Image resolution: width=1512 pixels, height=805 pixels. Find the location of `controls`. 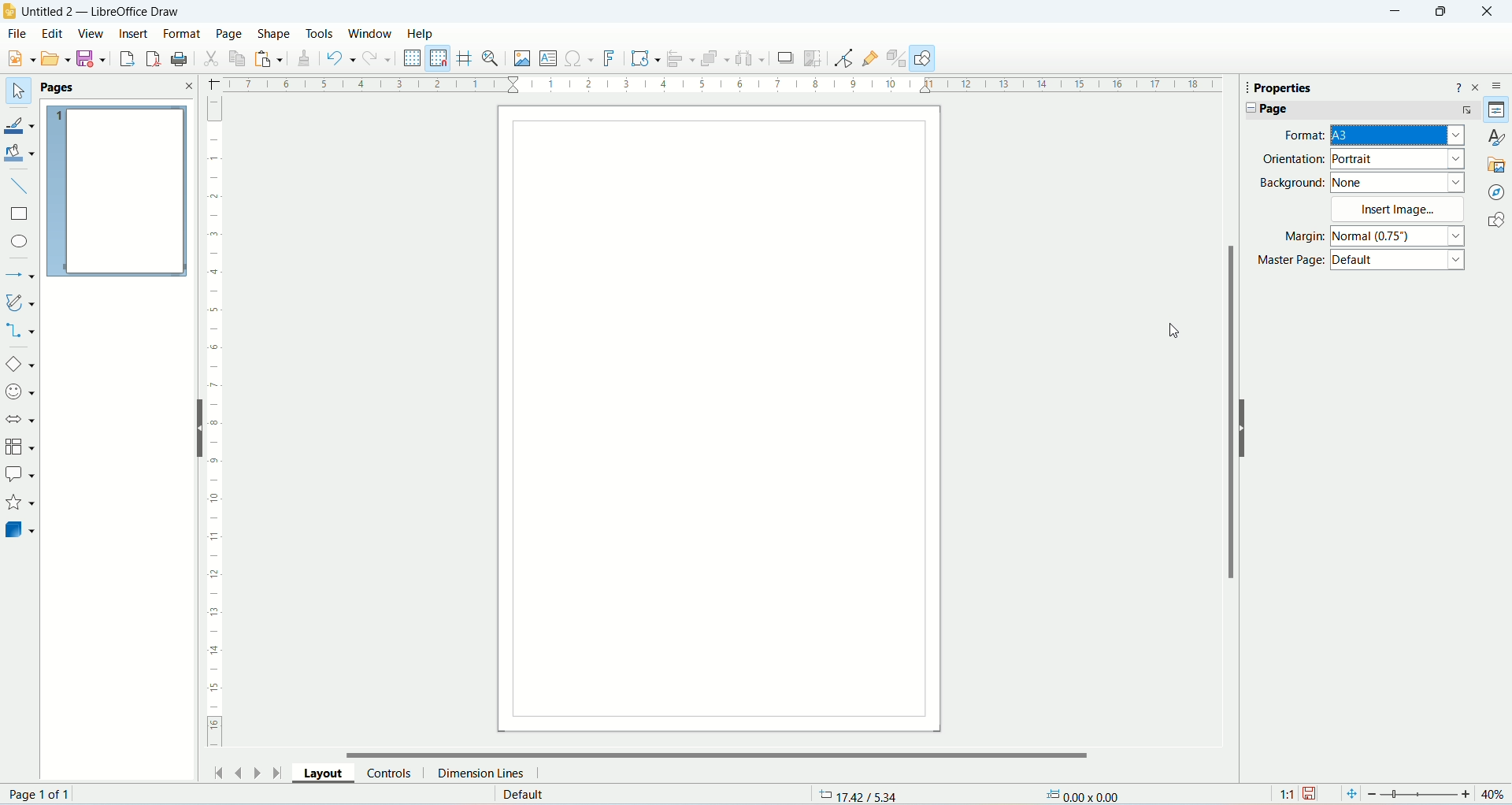

controls is located at coordinates (394, 771).